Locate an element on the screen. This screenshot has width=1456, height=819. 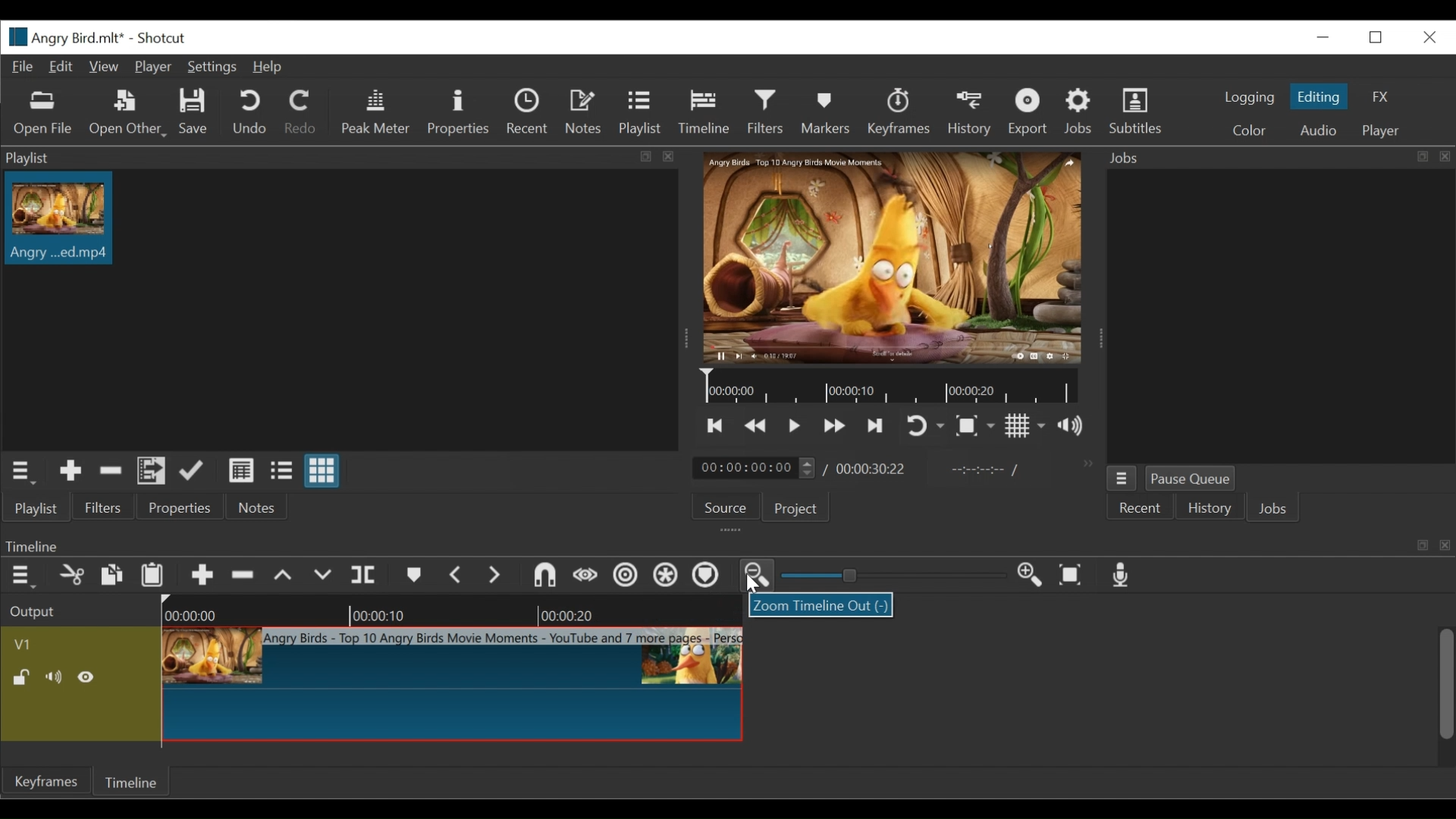
Jobs is located at coordinates (1272, 508).